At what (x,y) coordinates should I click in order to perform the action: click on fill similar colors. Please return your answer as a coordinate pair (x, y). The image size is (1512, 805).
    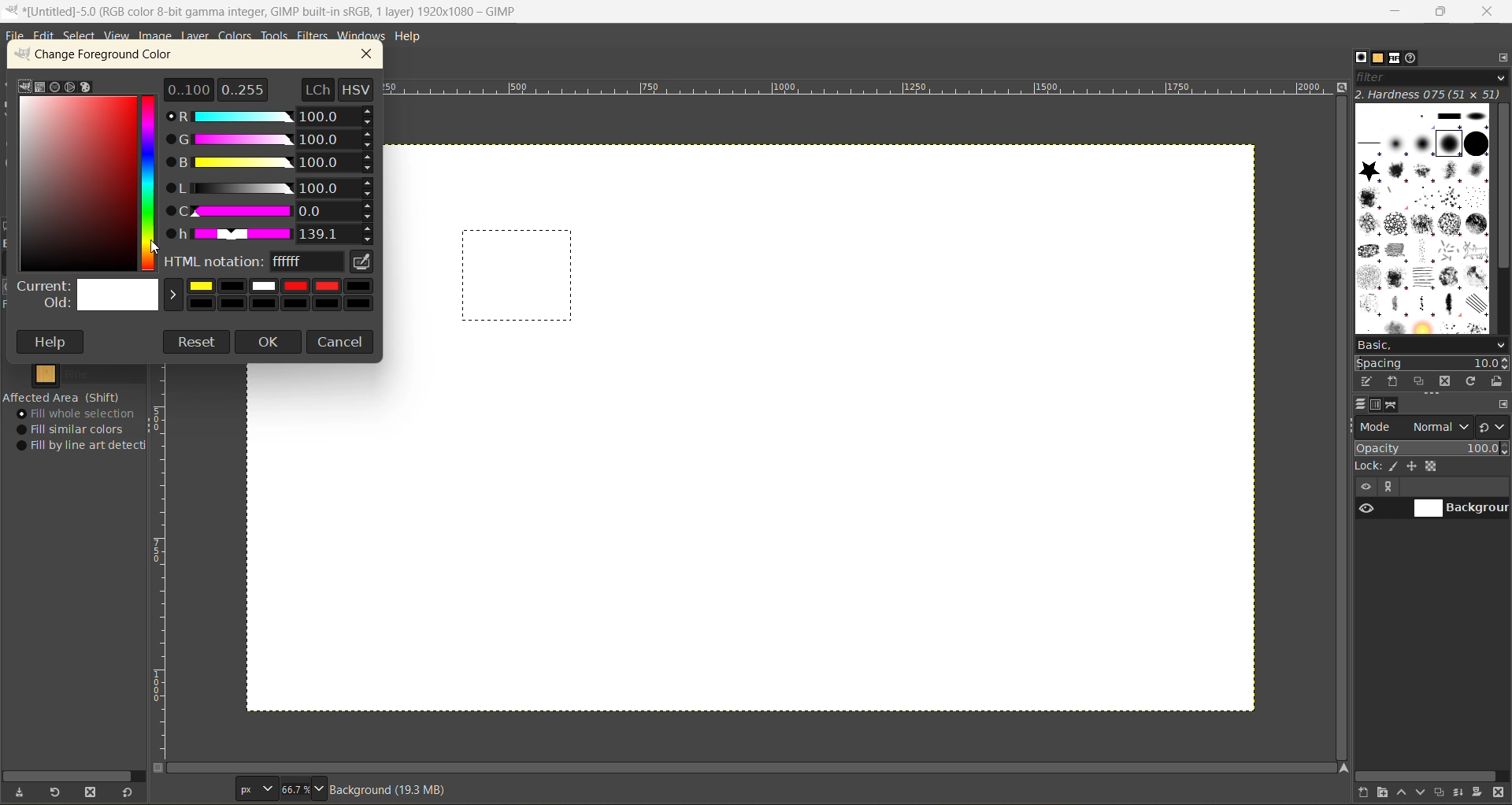
    Looking at the image, I should click on (76, 429).